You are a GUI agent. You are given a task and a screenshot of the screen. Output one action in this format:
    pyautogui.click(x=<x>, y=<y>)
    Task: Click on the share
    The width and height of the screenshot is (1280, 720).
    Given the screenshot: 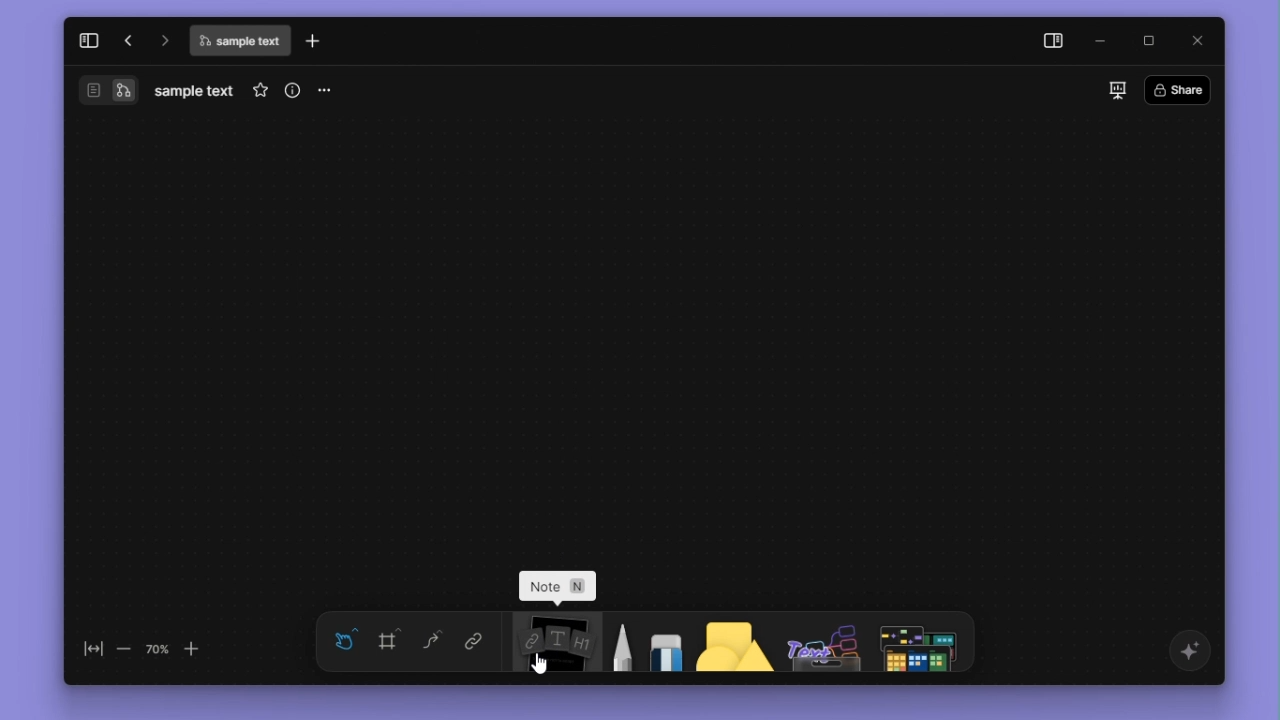 What is the action you would take?
    pyautogui.click(x=1182, y=88)
    